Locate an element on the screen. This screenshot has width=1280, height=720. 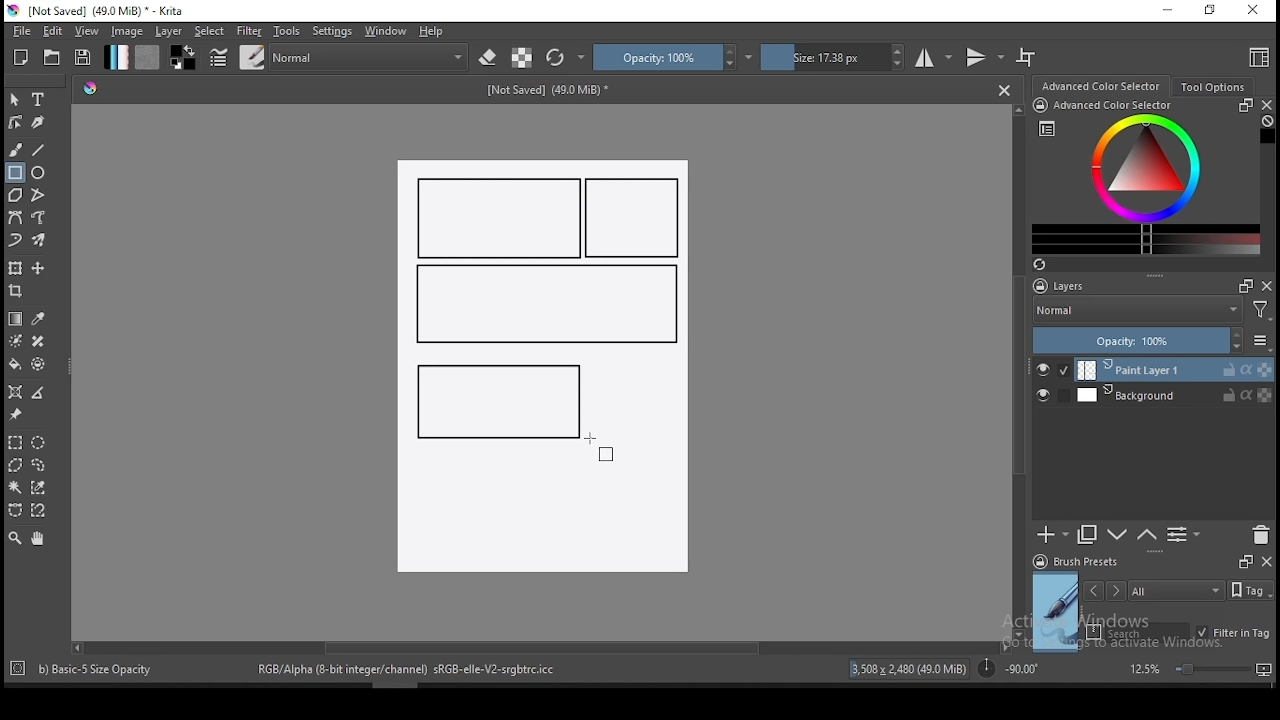
Hue is located at coordinates (90, 88).